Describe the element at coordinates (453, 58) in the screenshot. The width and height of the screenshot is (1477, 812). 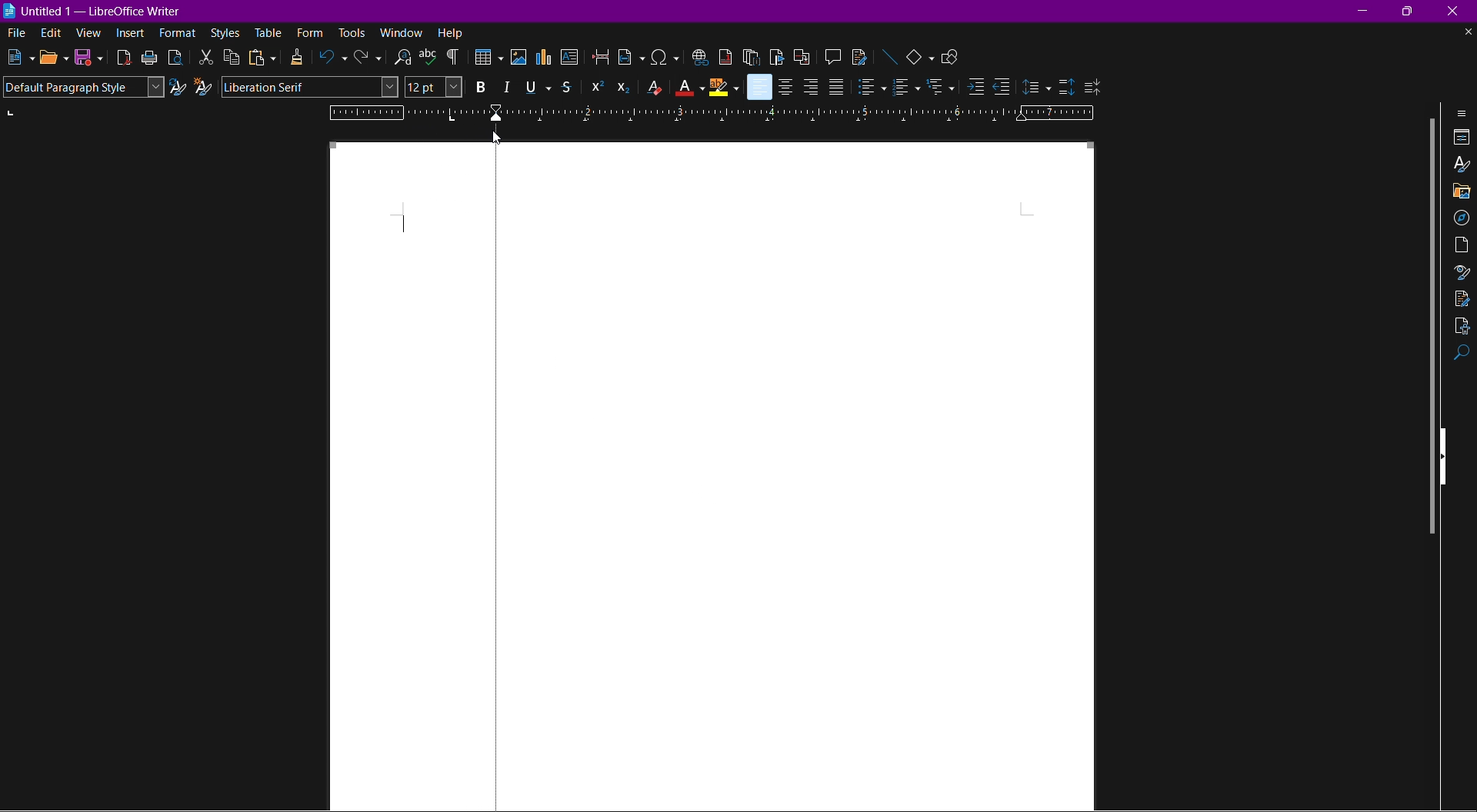
I see `Indent` at that location.